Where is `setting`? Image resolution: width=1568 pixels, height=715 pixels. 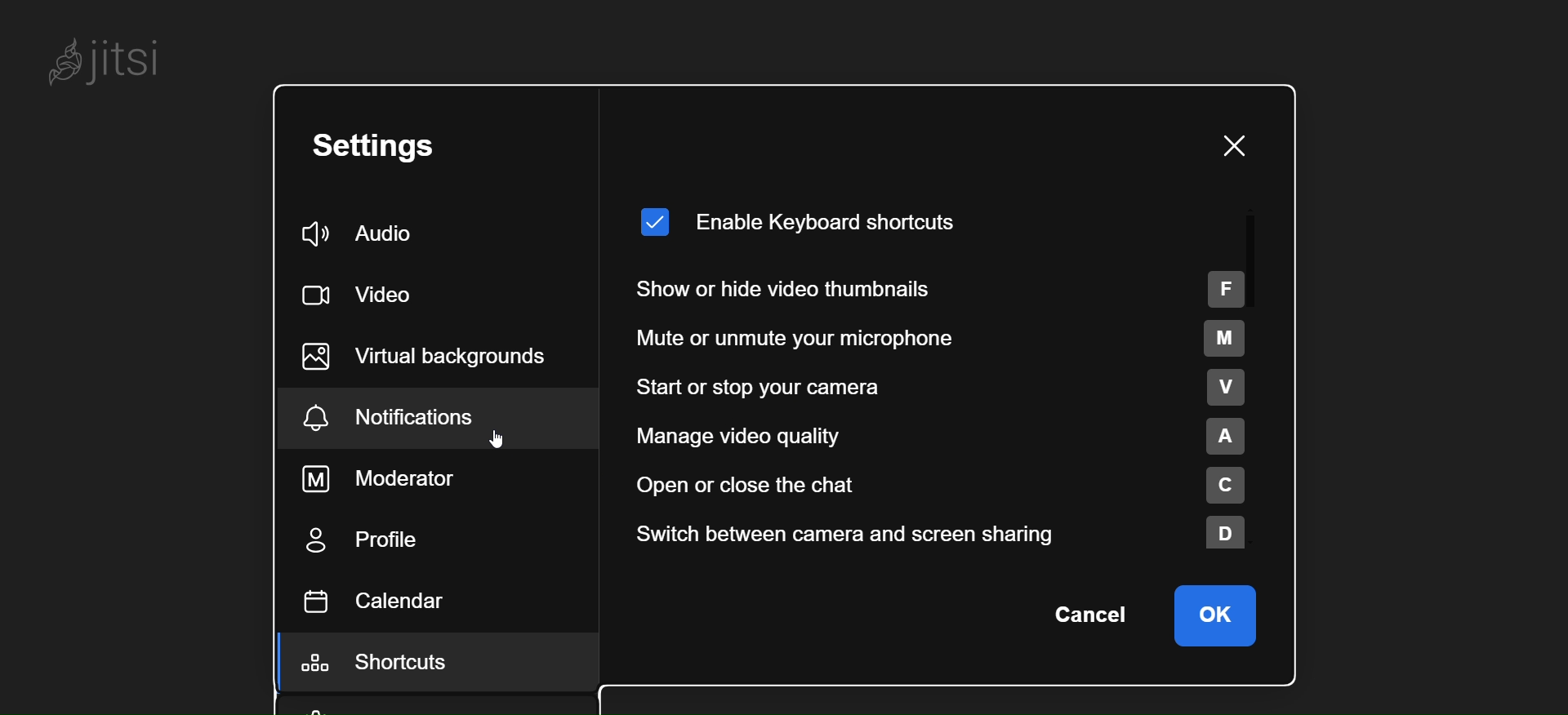
setting is located at coordinates (382, 149).